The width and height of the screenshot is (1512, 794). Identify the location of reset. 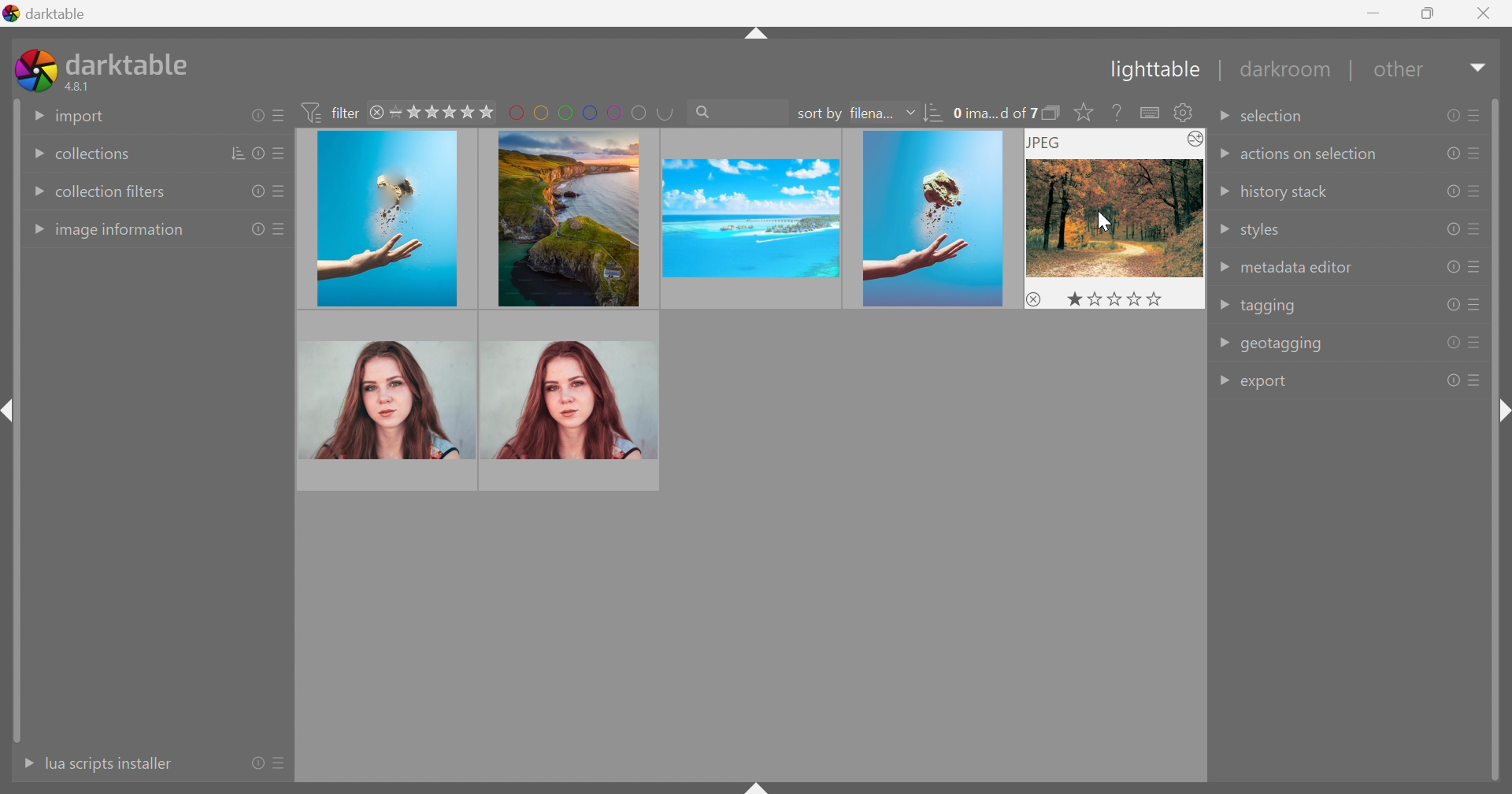
(1452, 384).